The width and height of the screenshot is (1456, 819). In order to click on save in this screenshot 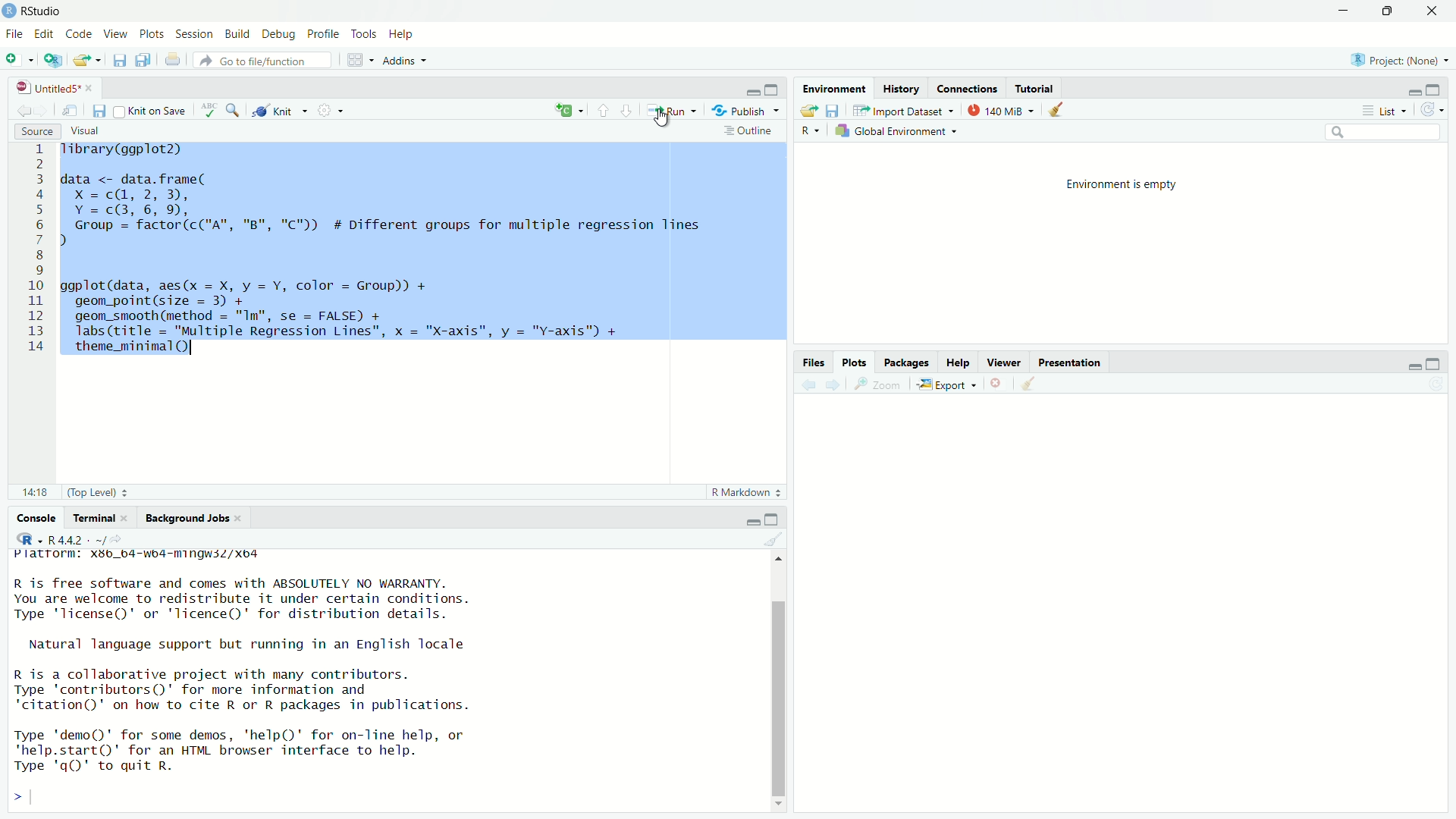, I will do `click(116, 59)`.